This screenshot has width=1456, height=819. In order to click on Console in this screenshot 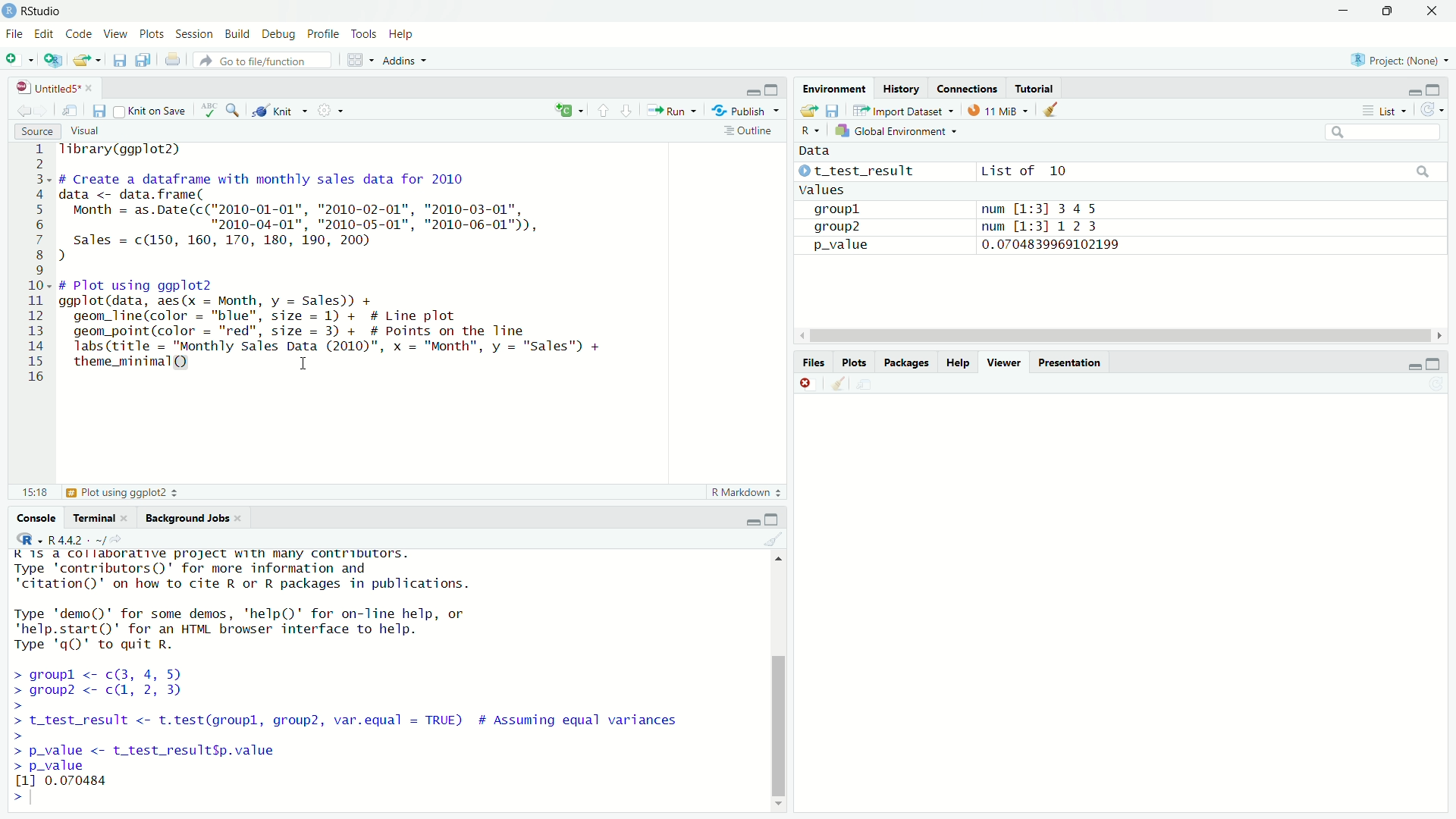, I will do `click(35, 516)`.